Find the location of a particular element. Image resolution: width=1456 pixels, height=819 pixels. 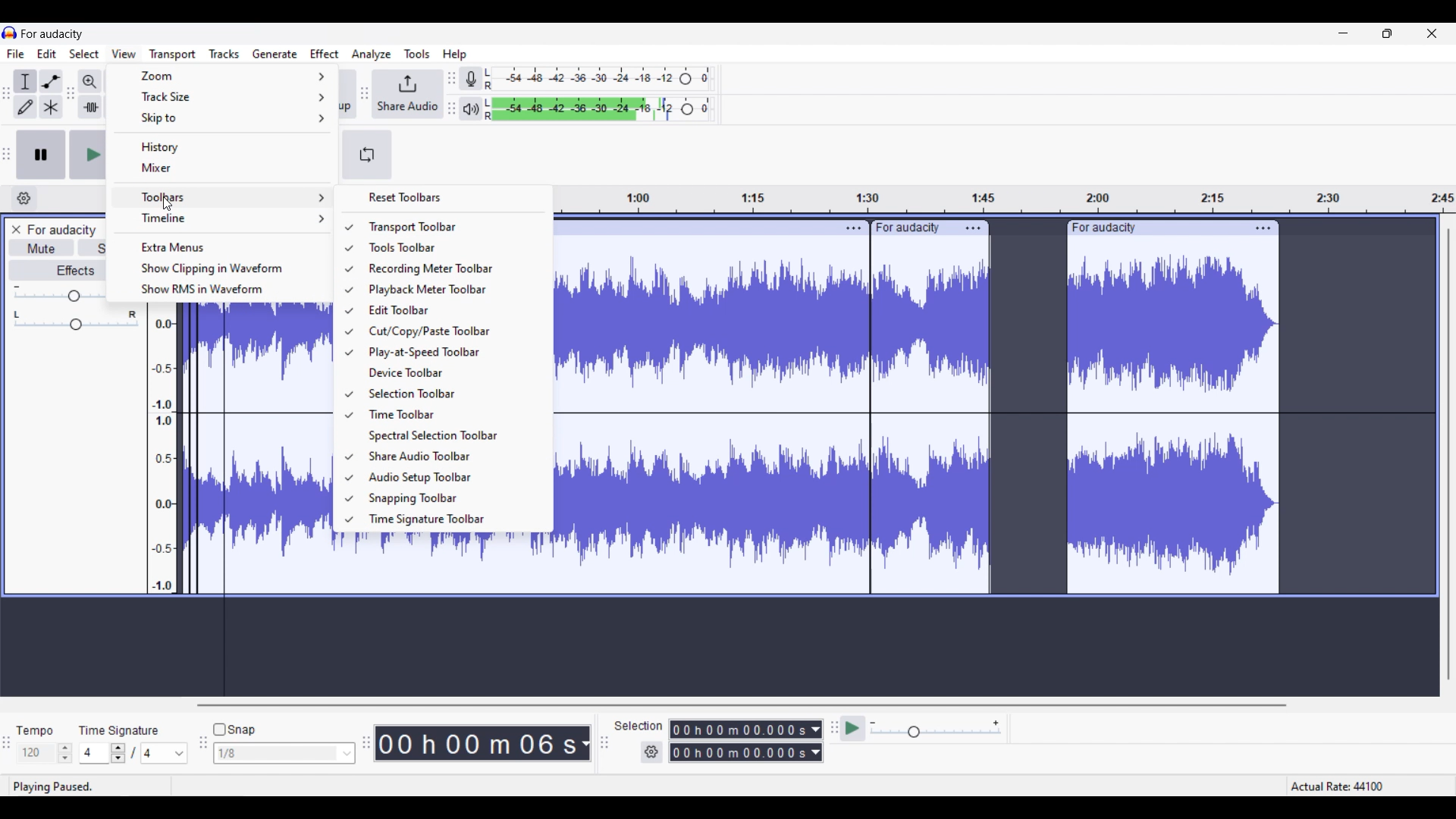

Selection duration is located at coordinates (739, 741).